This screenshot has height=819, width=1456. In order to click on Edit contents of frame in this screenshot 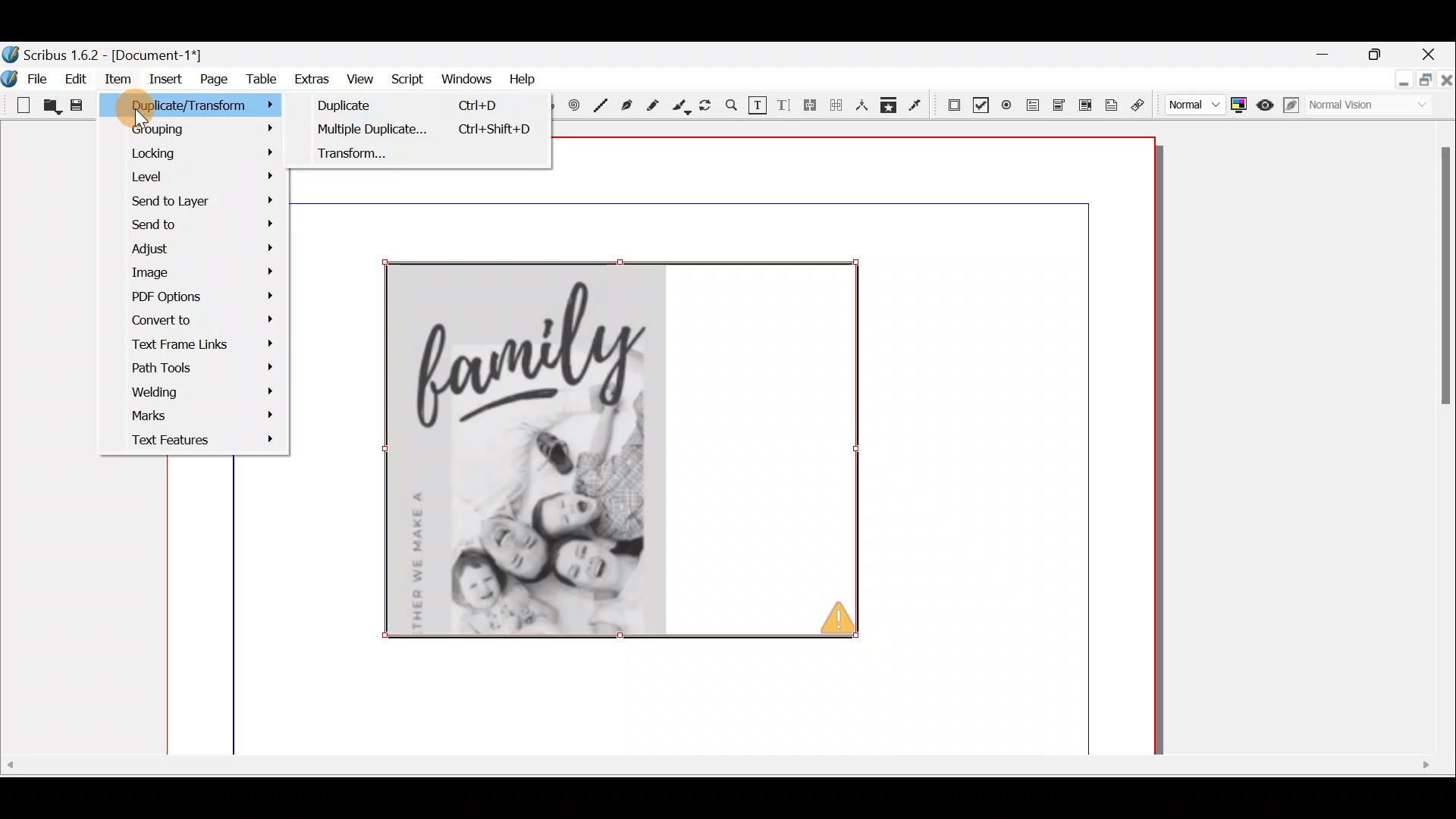, I will do `click(758, 105)`.